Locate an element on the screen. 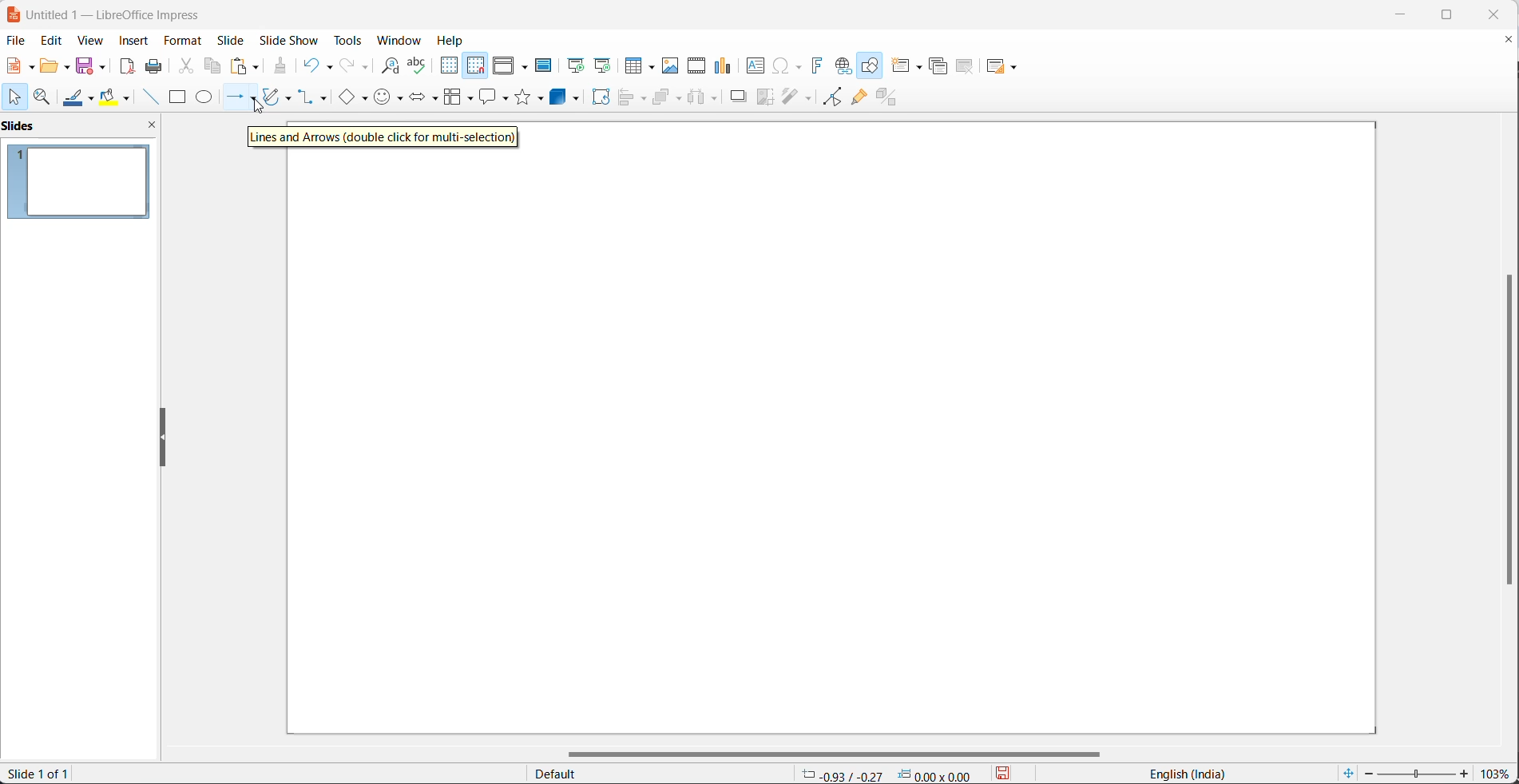  Untitled 1- LibreOffice impress is located at coordinates (113, 14).